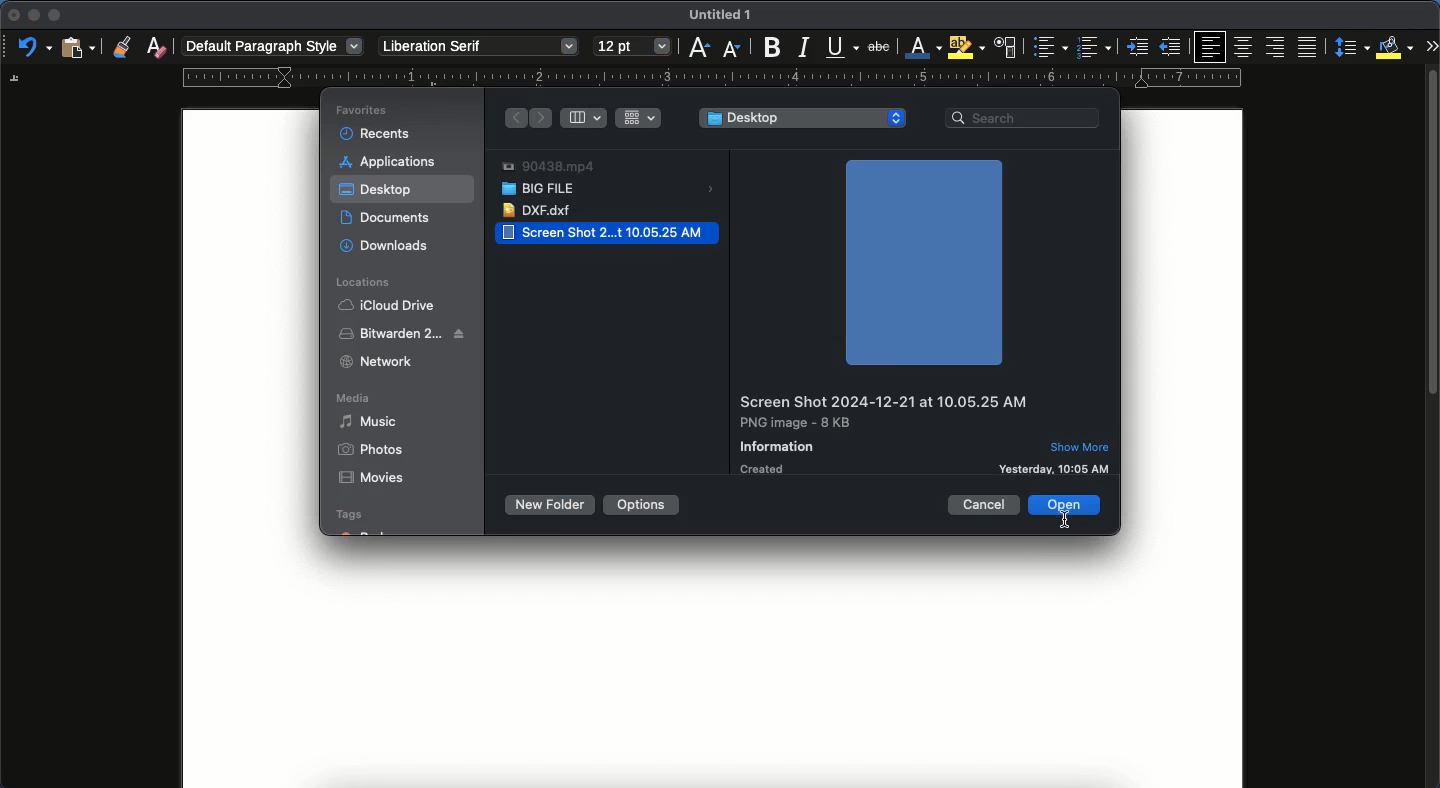 Image resolution: width=1440 pixels, height=788 pixels. Describe the element at coordinates (1004, 48) in the screenshot. I see `character` at that location.